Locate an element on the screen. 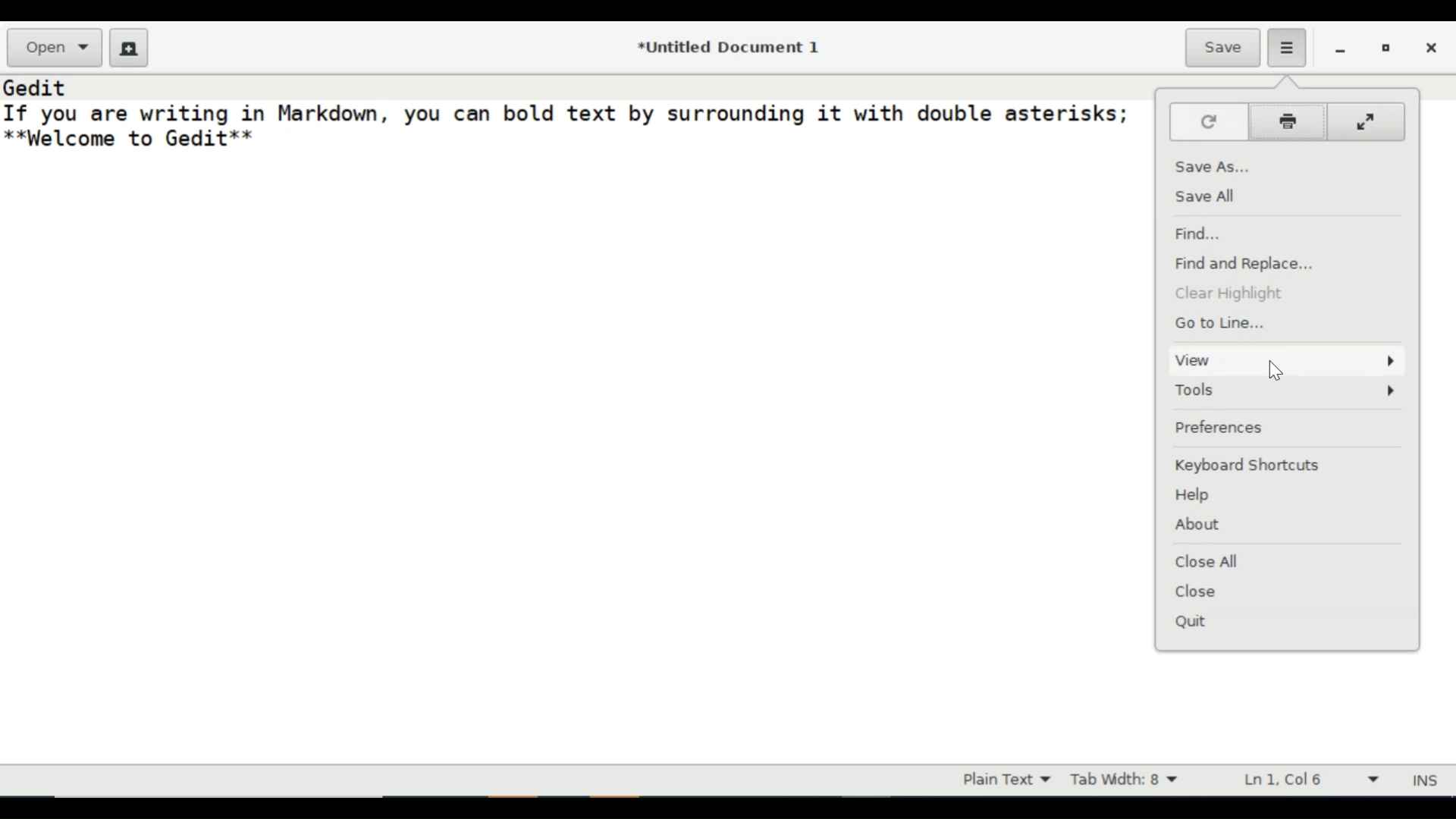 This screenshot has height=819, width=1456. Print is located at coordinates (1291, 122).